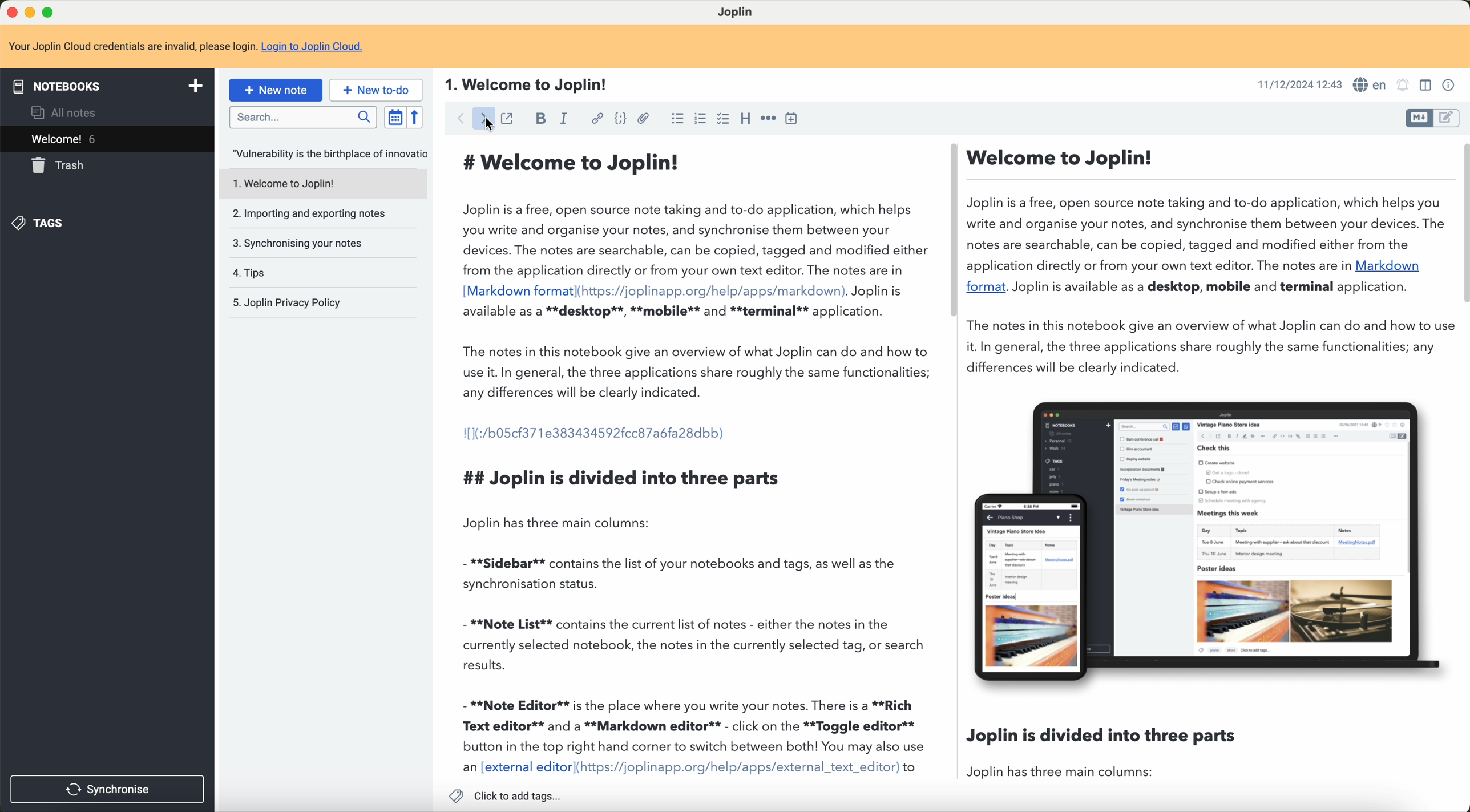 Image resolution: width=1470 pixels, height=812 pixels. Describe the element at coordinates (510, 119) in the screenshot. I see `toggle external editing` at that location.